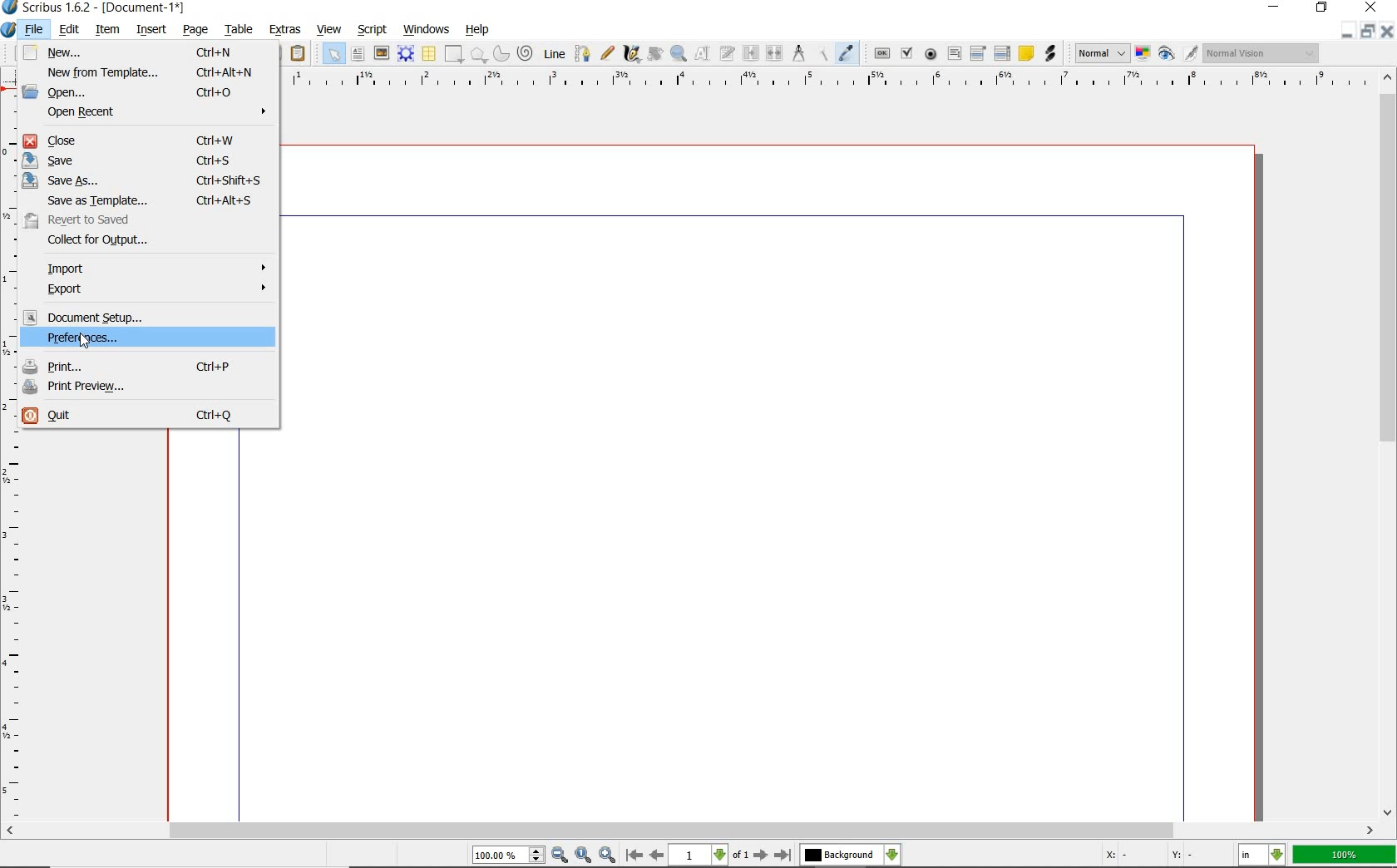 This screenshot has width=1397, height=868. Describe the element at coordinates (149, 72) in the screenshot. I see `new from template` at that location.